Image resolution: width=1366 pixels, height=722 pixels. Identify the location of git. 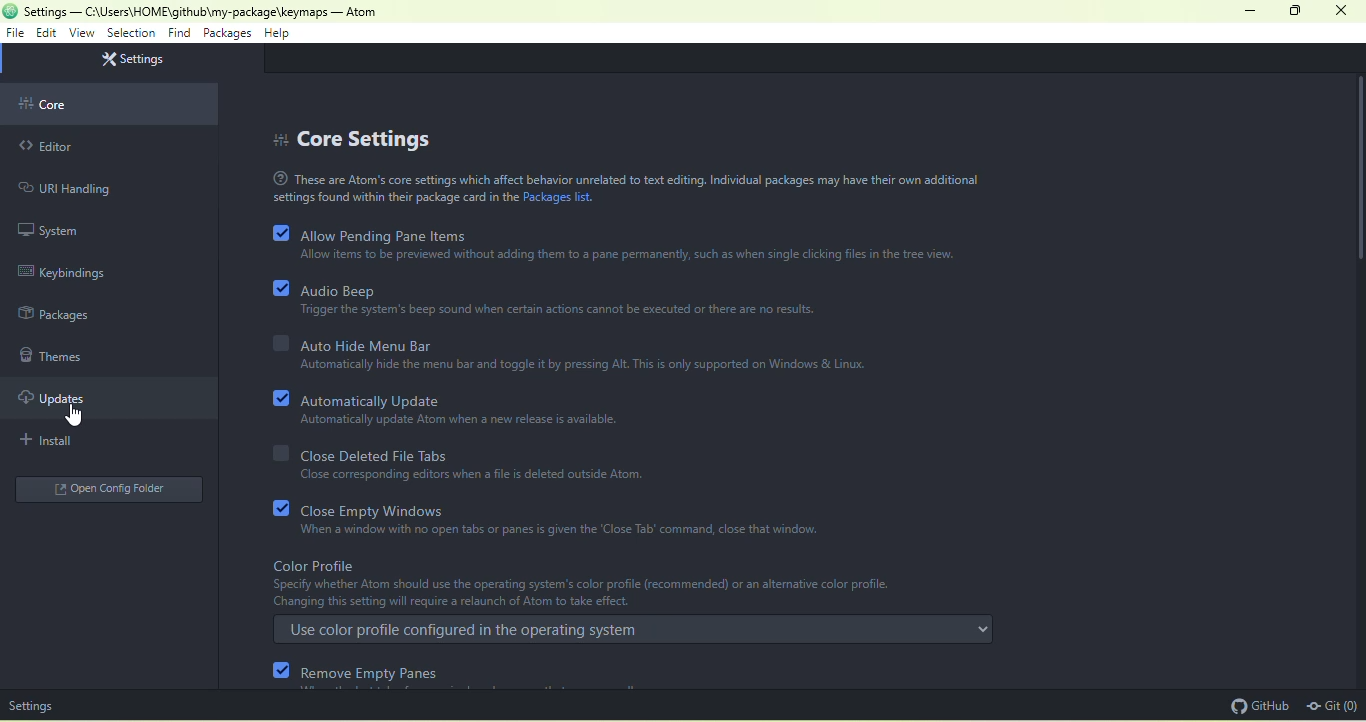
(1332, 707).